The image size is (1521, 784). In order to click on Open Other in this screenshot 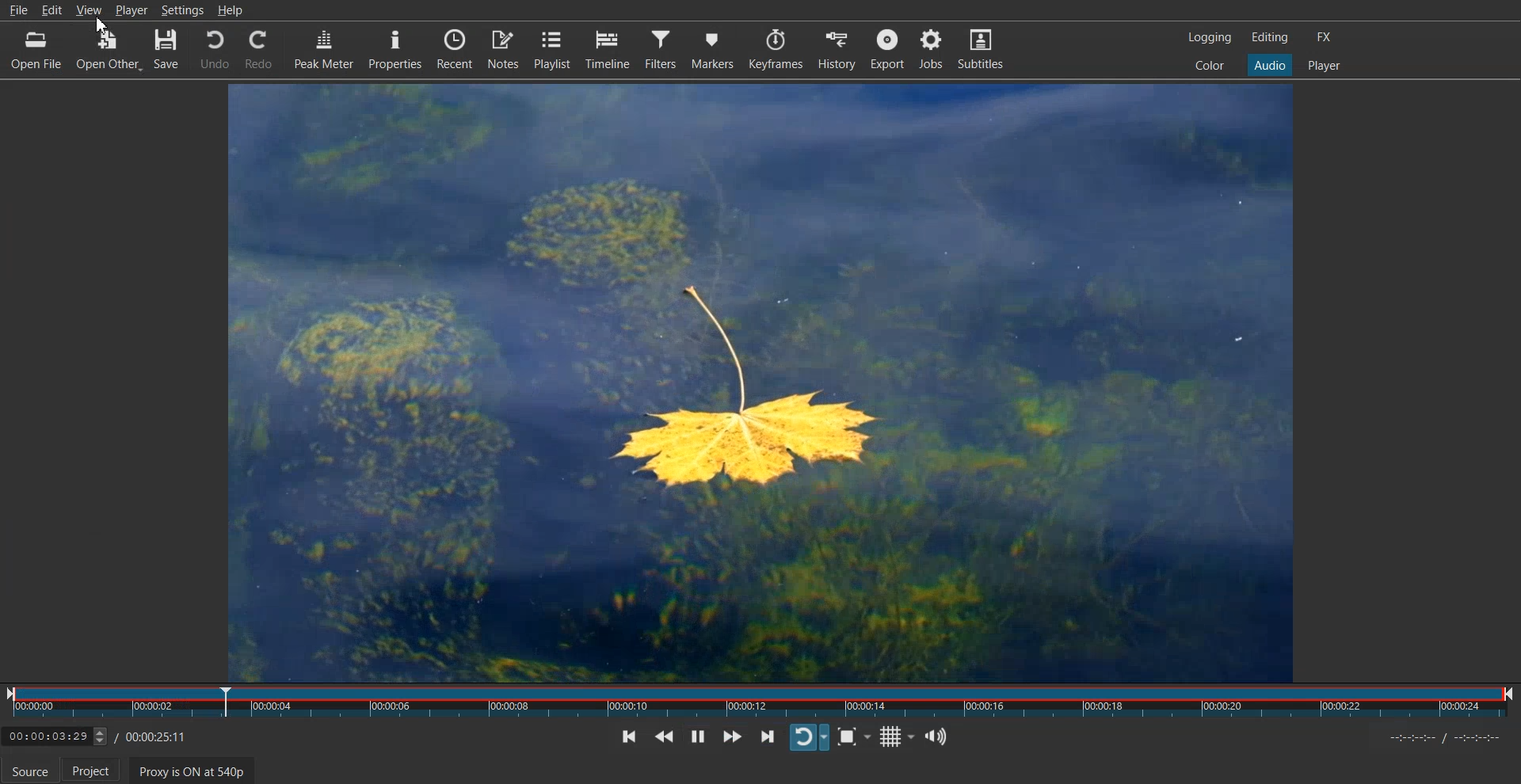, I will do `click(107, 51)`.